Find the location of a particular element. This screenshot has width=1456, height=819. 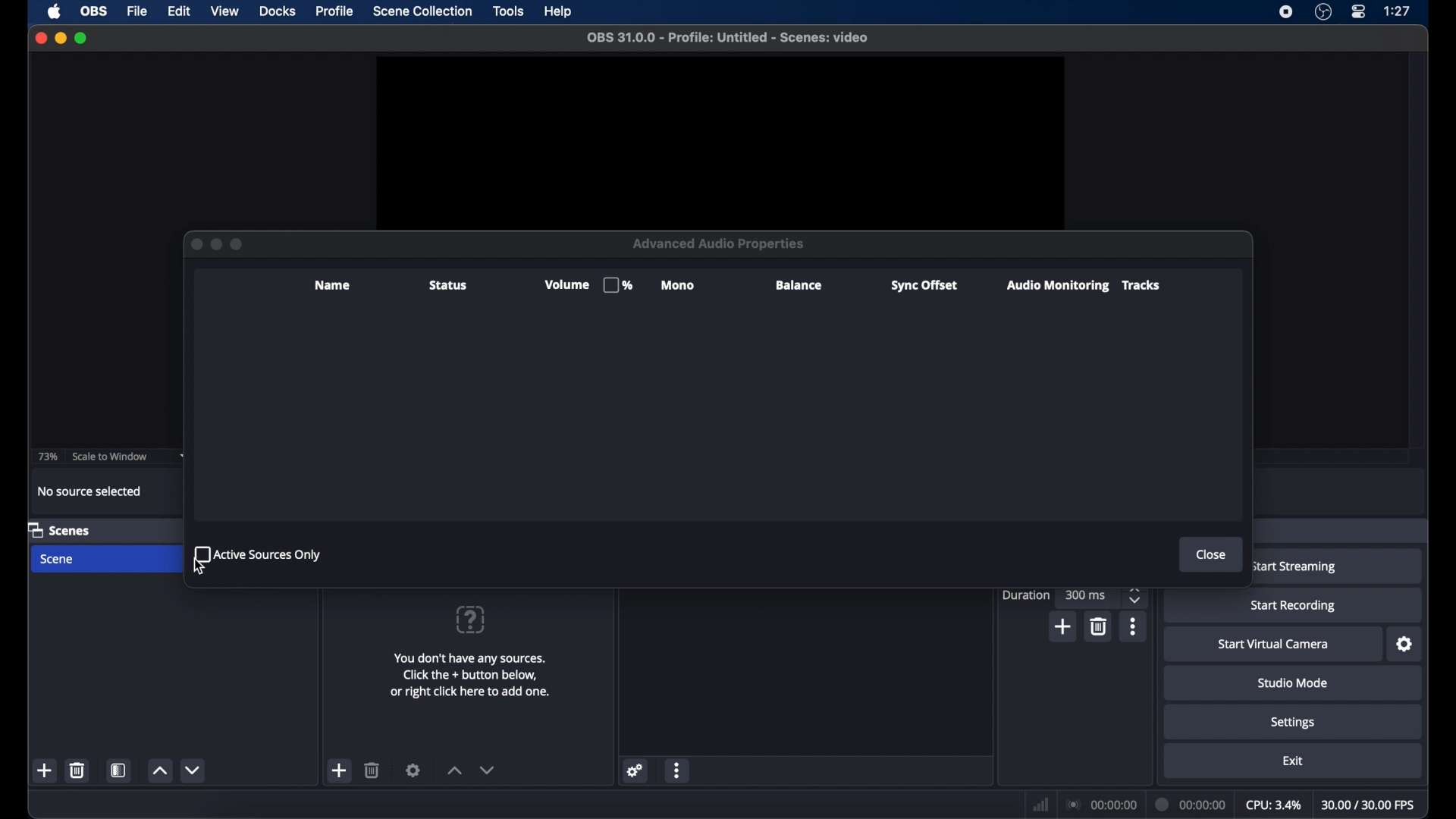

scene is located at coordinates (59, 529).